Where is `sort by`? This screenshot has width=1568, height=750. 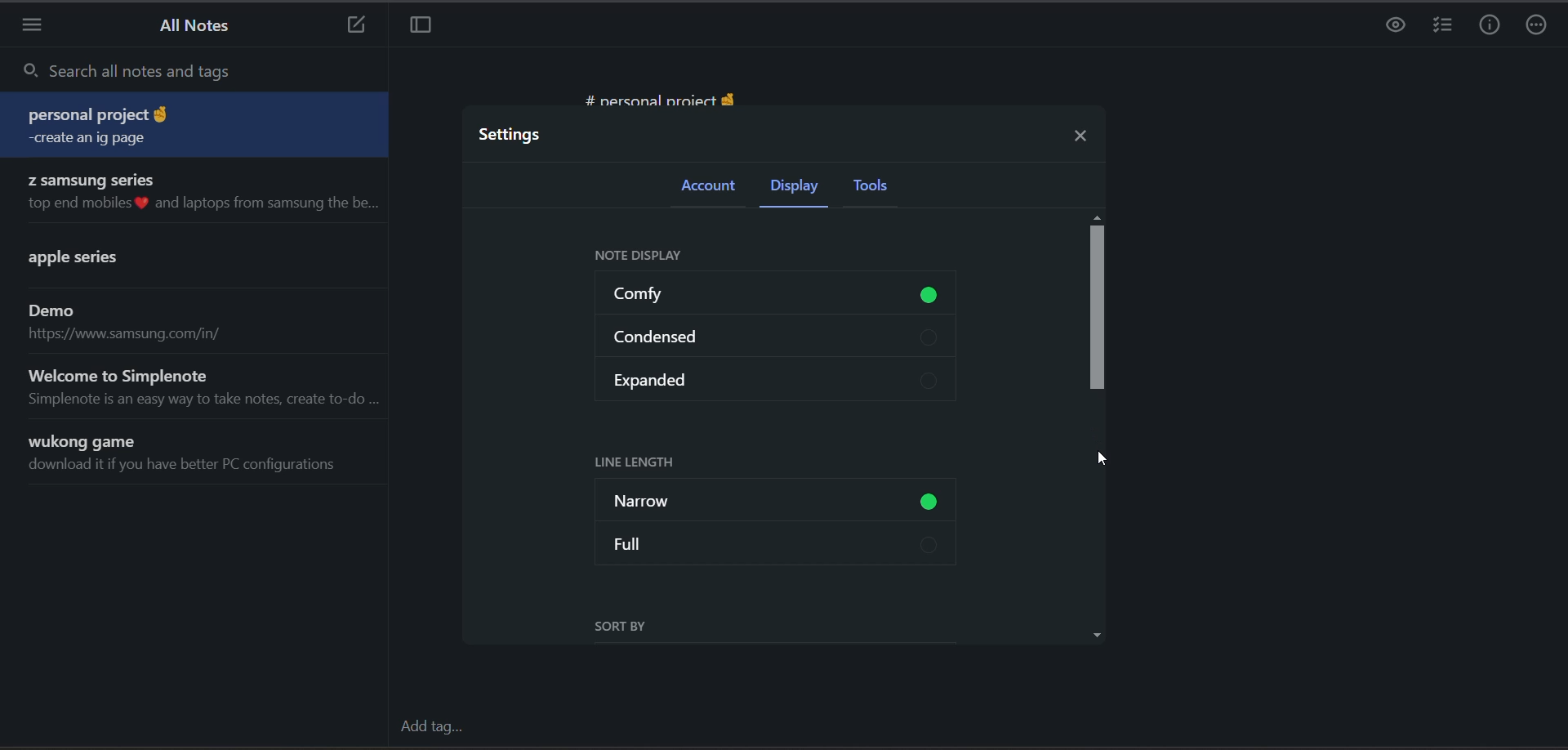 sort by is located at coordinates (630, 627).